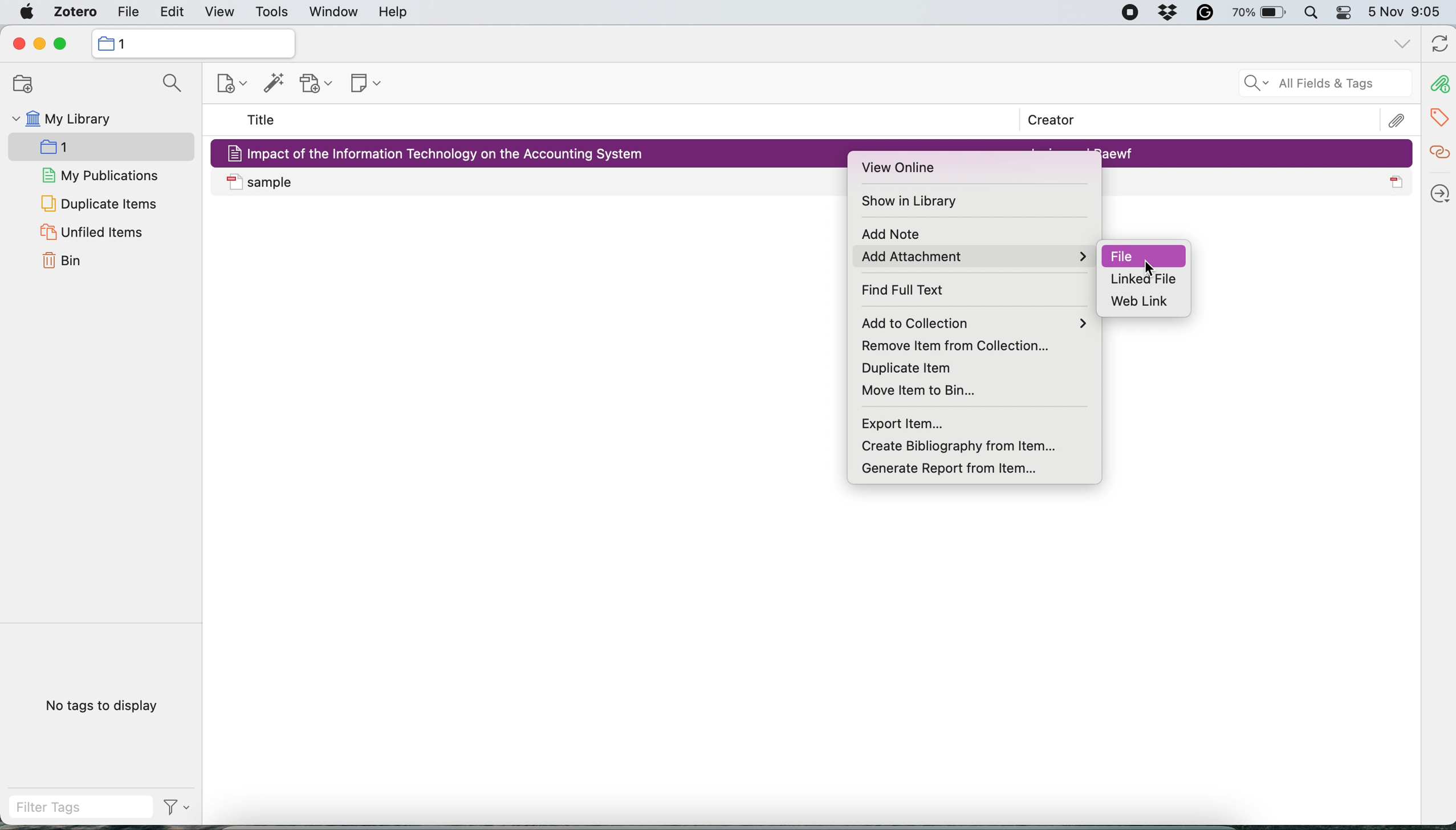  Describe the element at coordinates (91, 233) in the screenshot. I see `unfiled items` at that location.